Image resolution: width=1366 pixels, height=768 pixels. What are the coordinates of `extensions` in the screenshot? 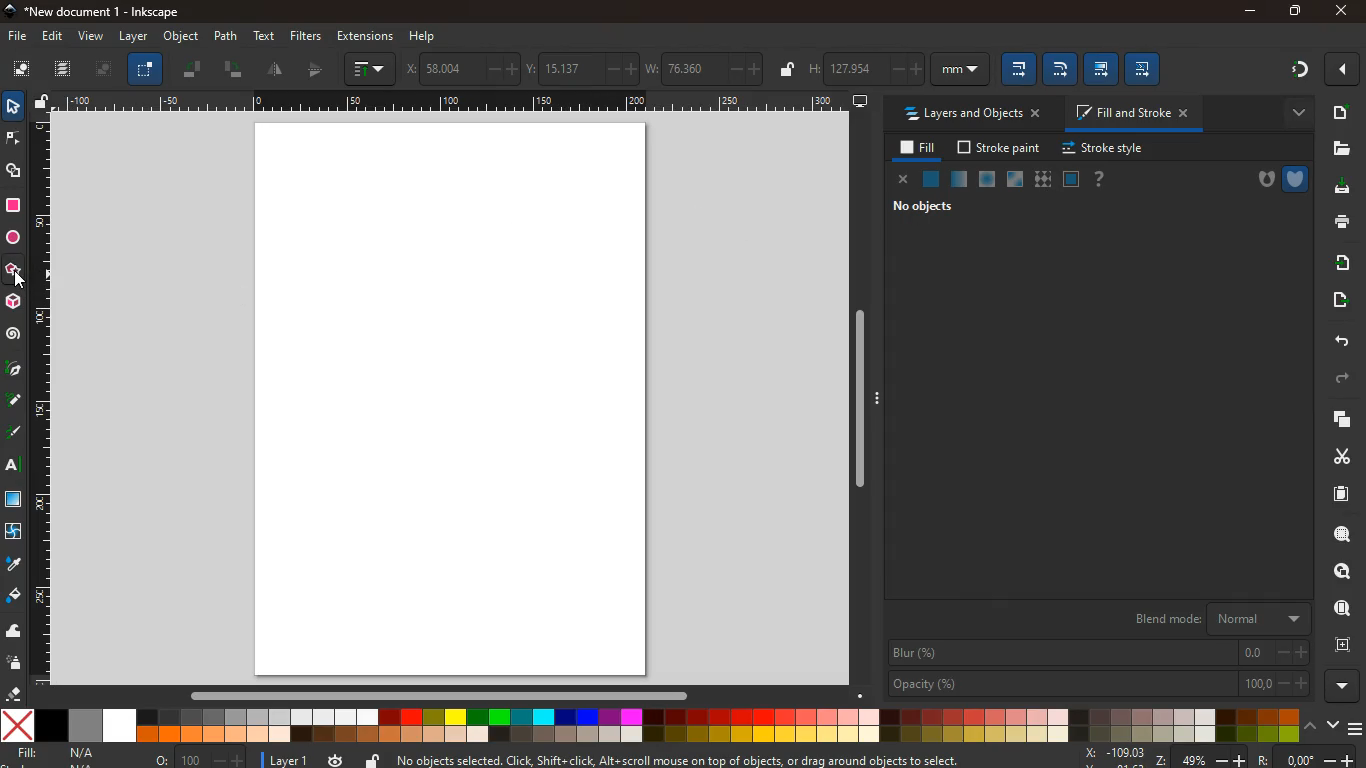 It's located at (365, 35).